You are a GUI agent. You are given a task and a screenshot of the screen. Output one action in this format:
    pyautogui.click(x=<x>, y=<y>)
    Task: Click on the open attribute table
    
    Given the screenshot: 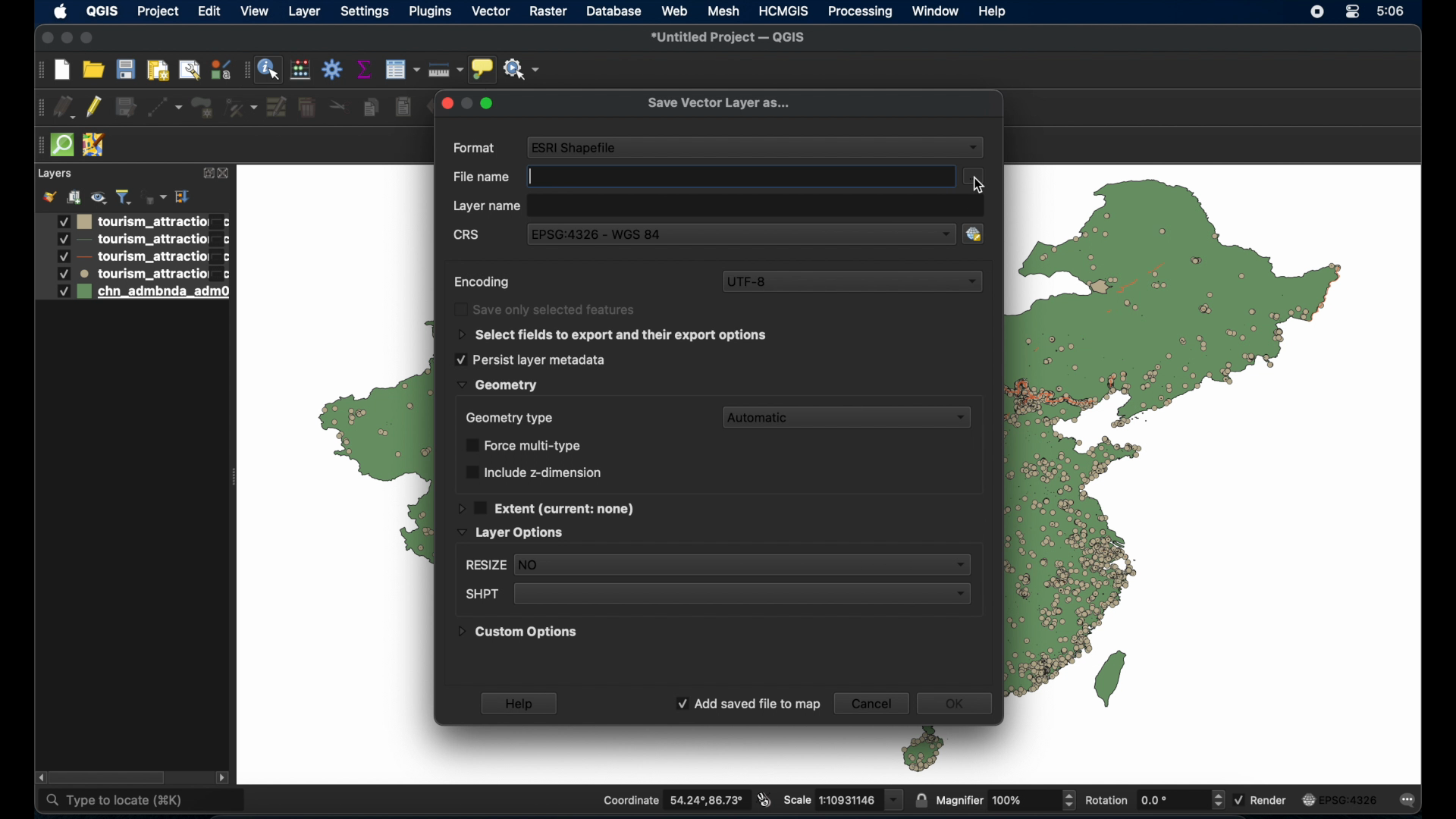 What is the action you would take?
    pyautogui.click(x=402, y=71)
    